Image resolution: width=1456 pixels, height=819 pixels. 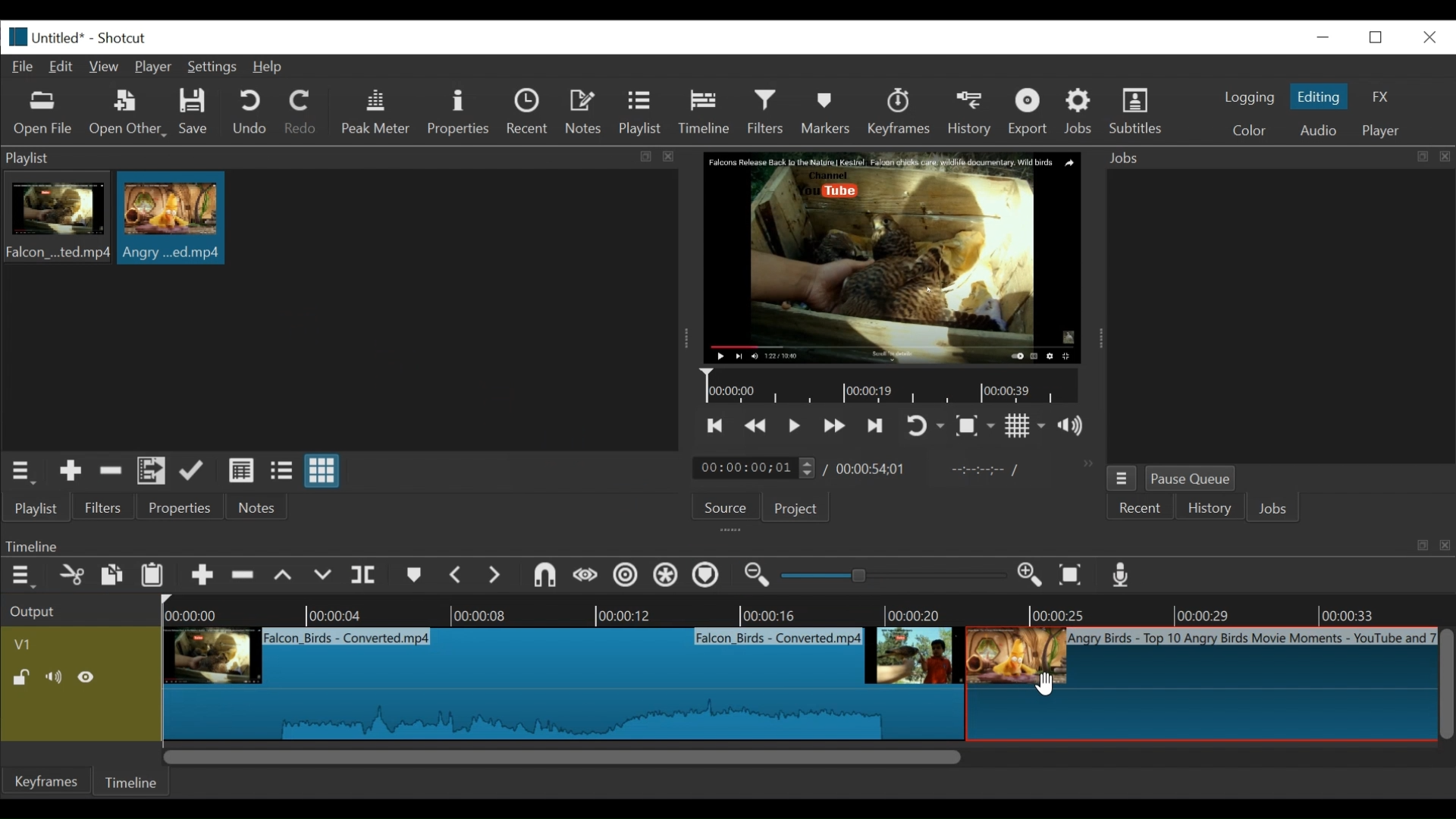 What do you see at coordinates (1280, 315) in the screenshot?
I see `jobs panel` at bounding box center [1280, 315].